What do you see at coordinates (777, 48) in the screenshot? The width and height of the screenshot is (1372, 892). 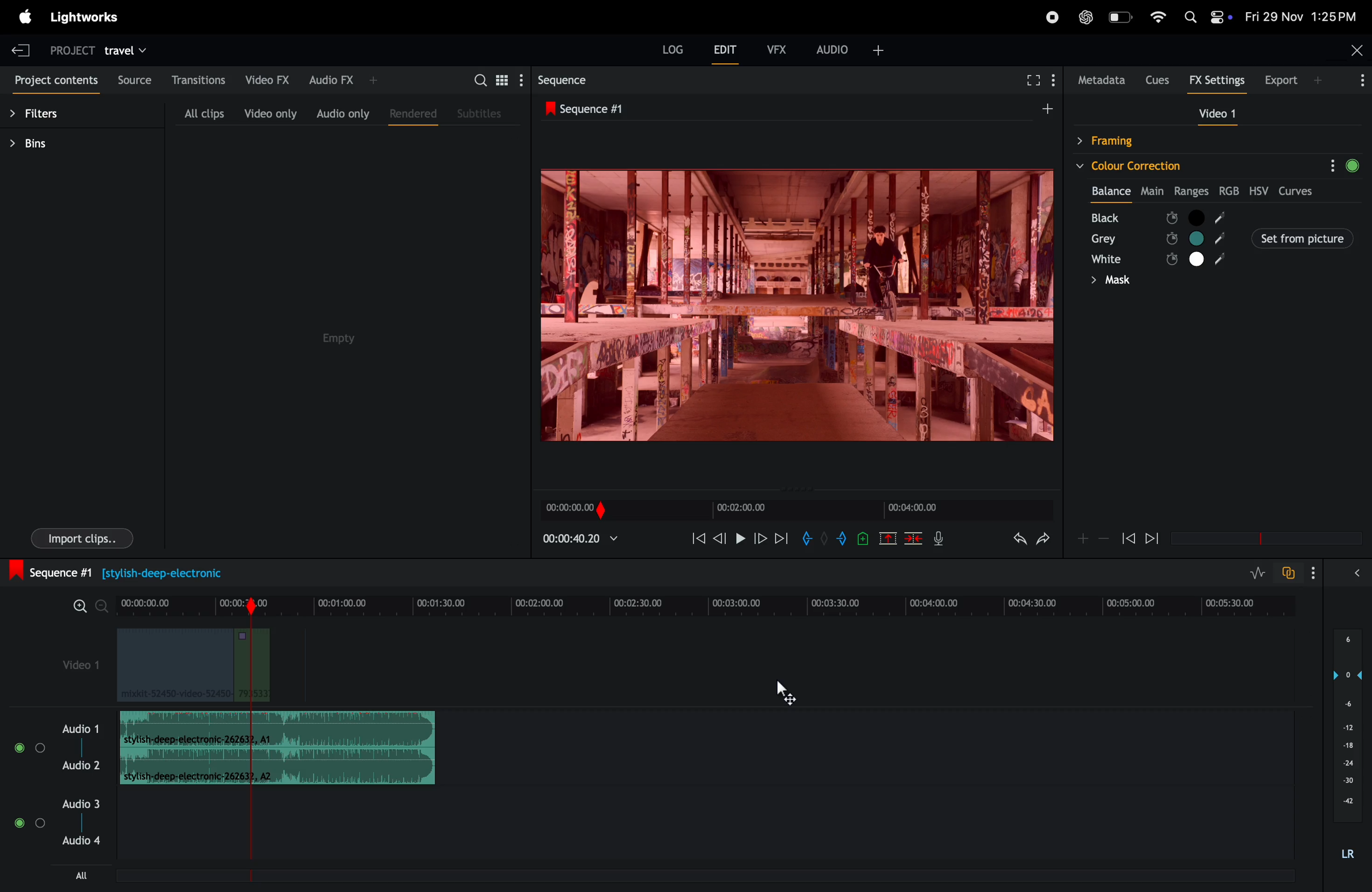 I see `vfx` at bounding box center [777, 48].